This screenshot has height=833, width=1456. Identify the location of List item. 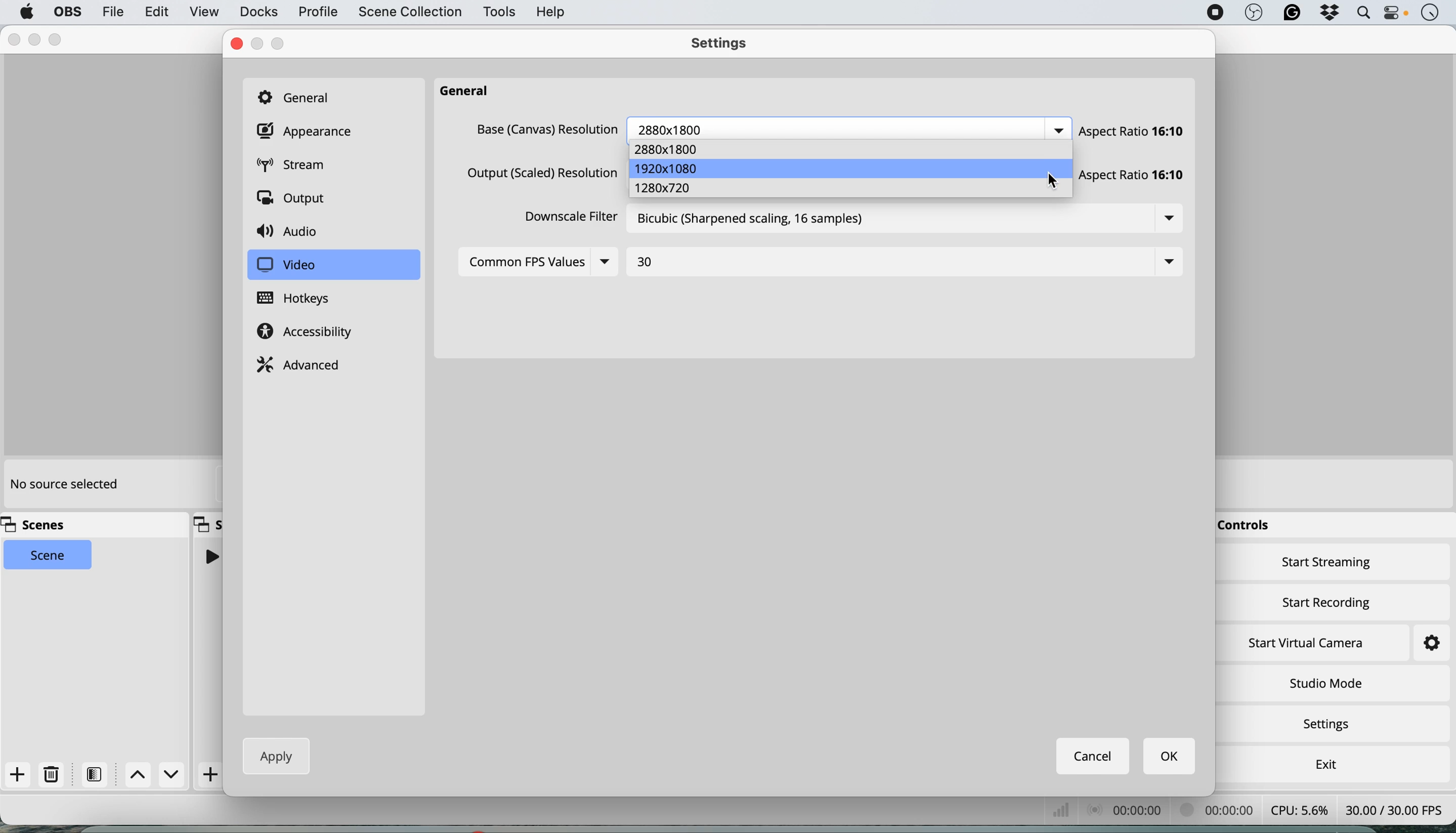
(1057, 131).